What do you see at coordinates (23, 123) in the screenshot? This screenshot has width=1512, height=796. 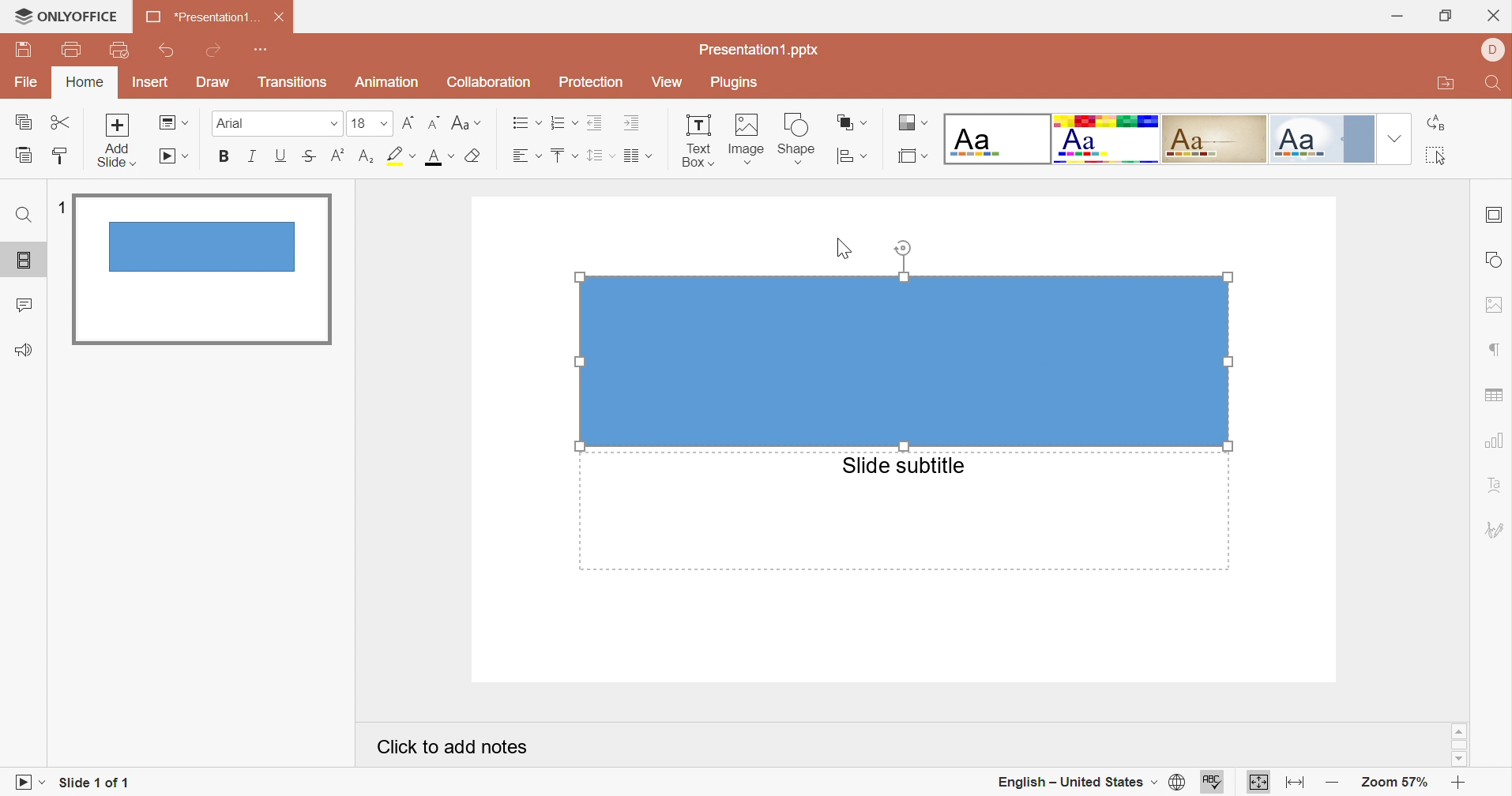 I see `Copy` at bounding box center [23, 123].